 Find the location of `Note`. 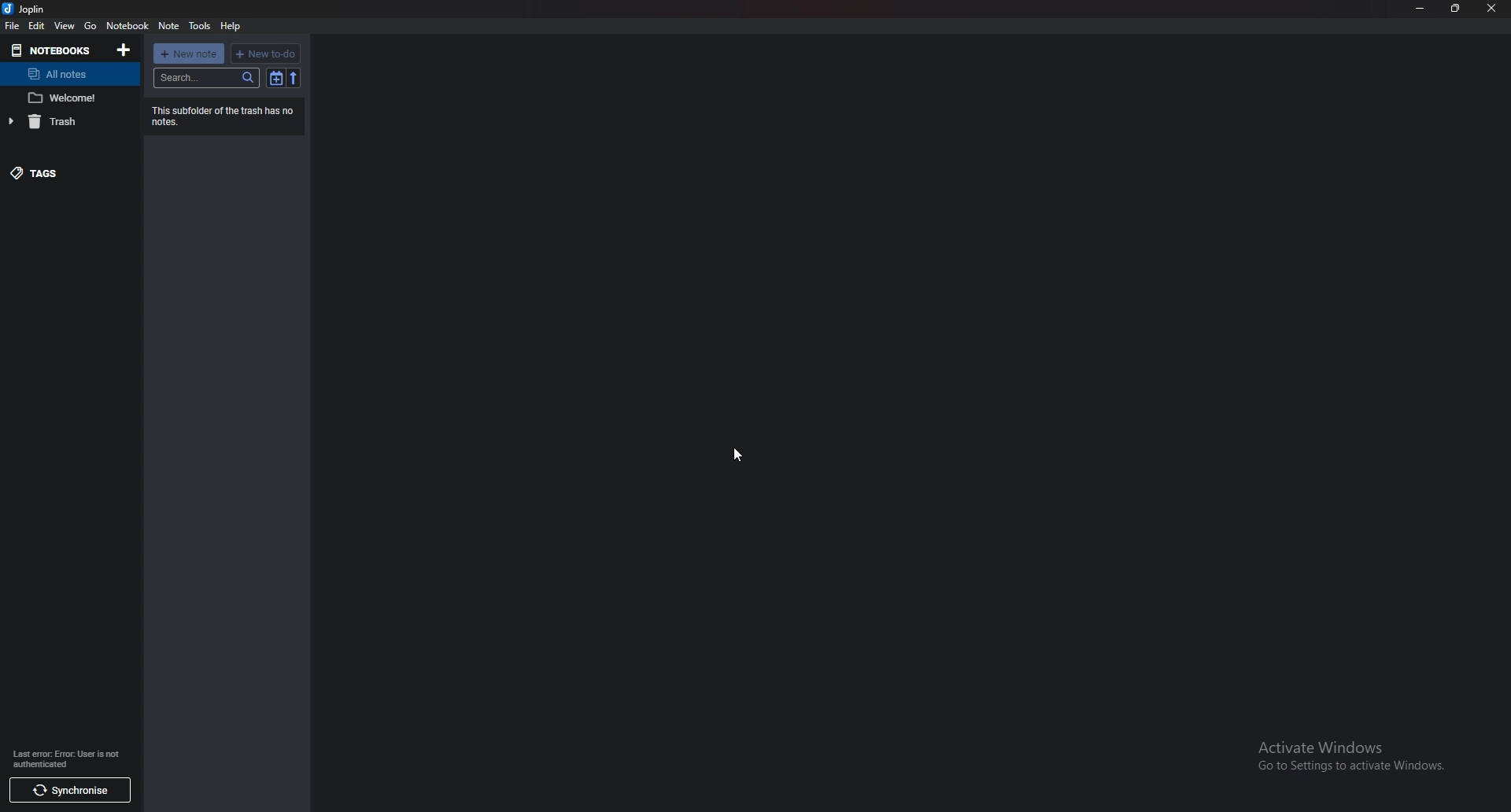

Note is located at coordinates (170, 25).